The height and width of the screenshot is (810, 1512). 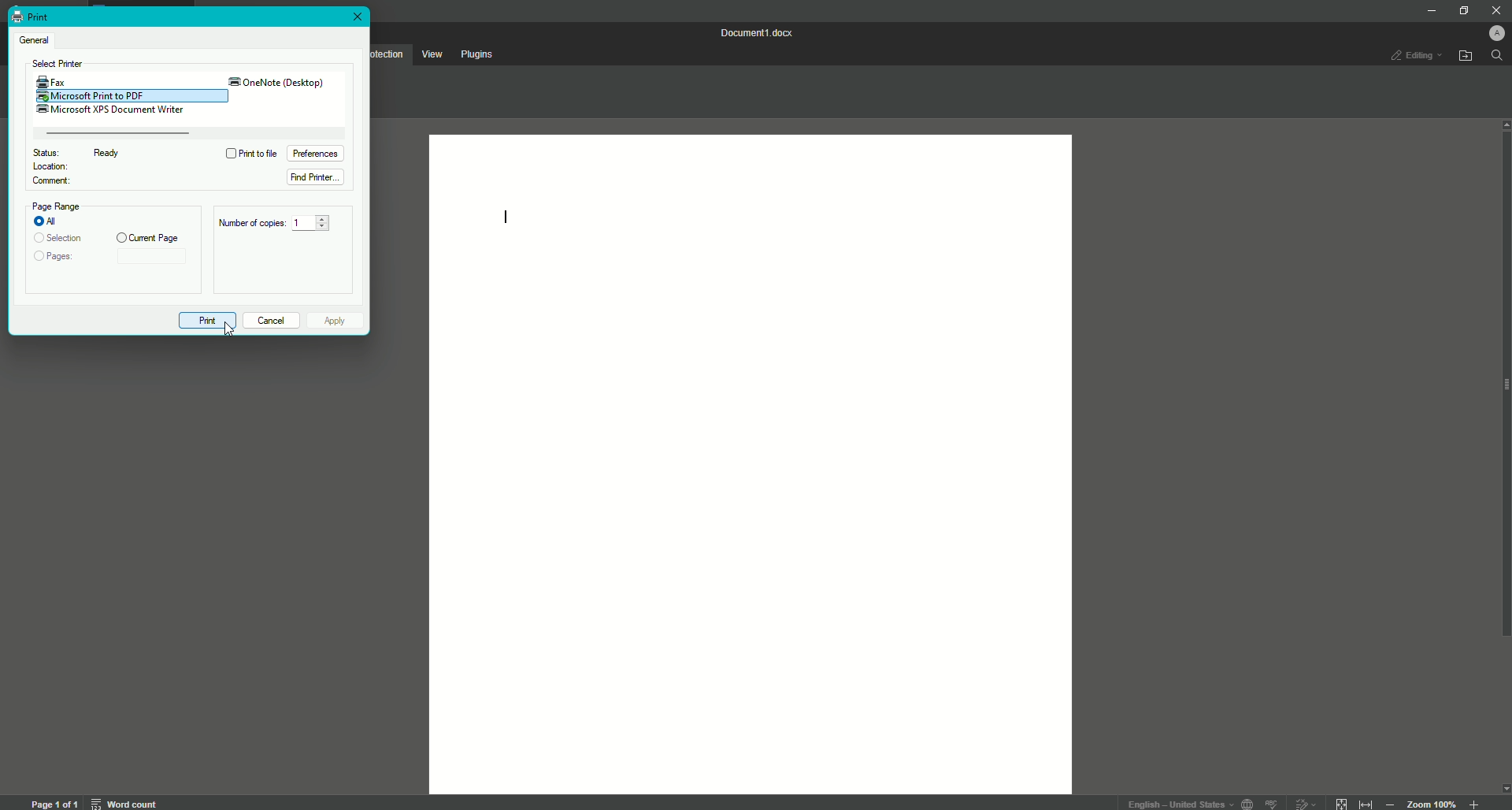 I want to click on Editing, so click(x=1410, y=56).